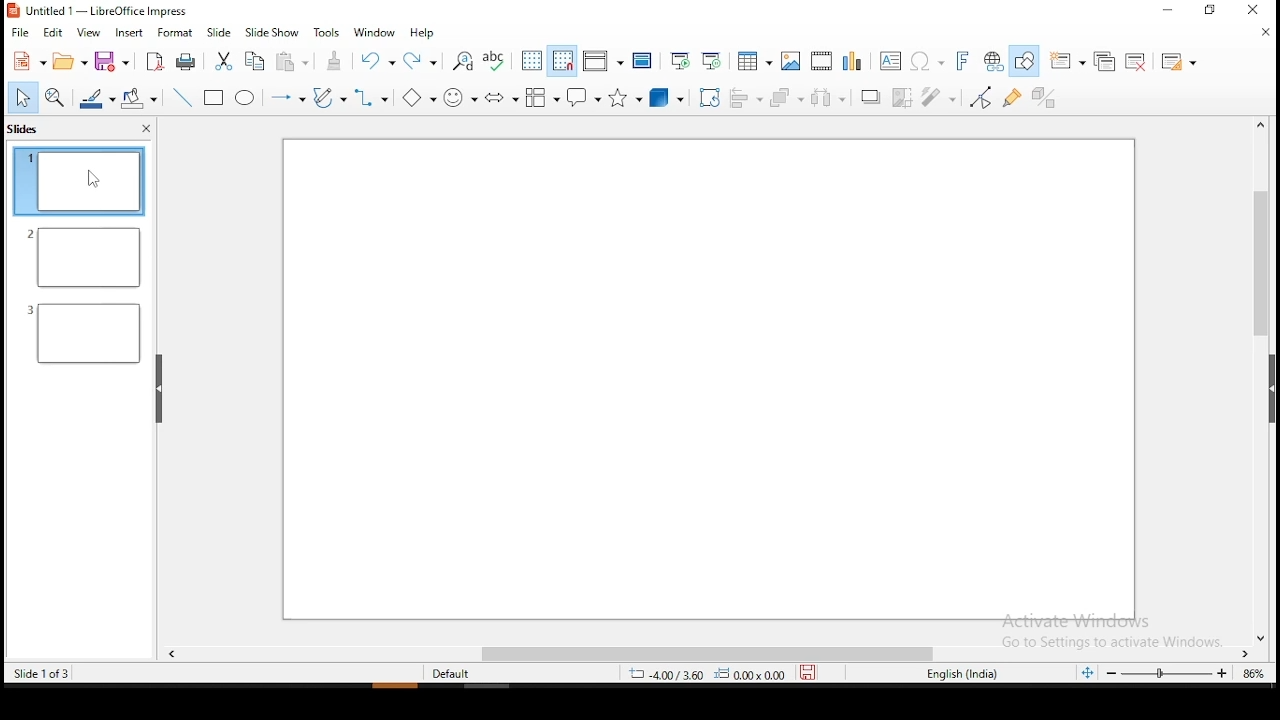 The width and height of the screenshot is (1280, 720). Describe the element at coordinates (217, 98) in the screenshot. I see `` at that location.